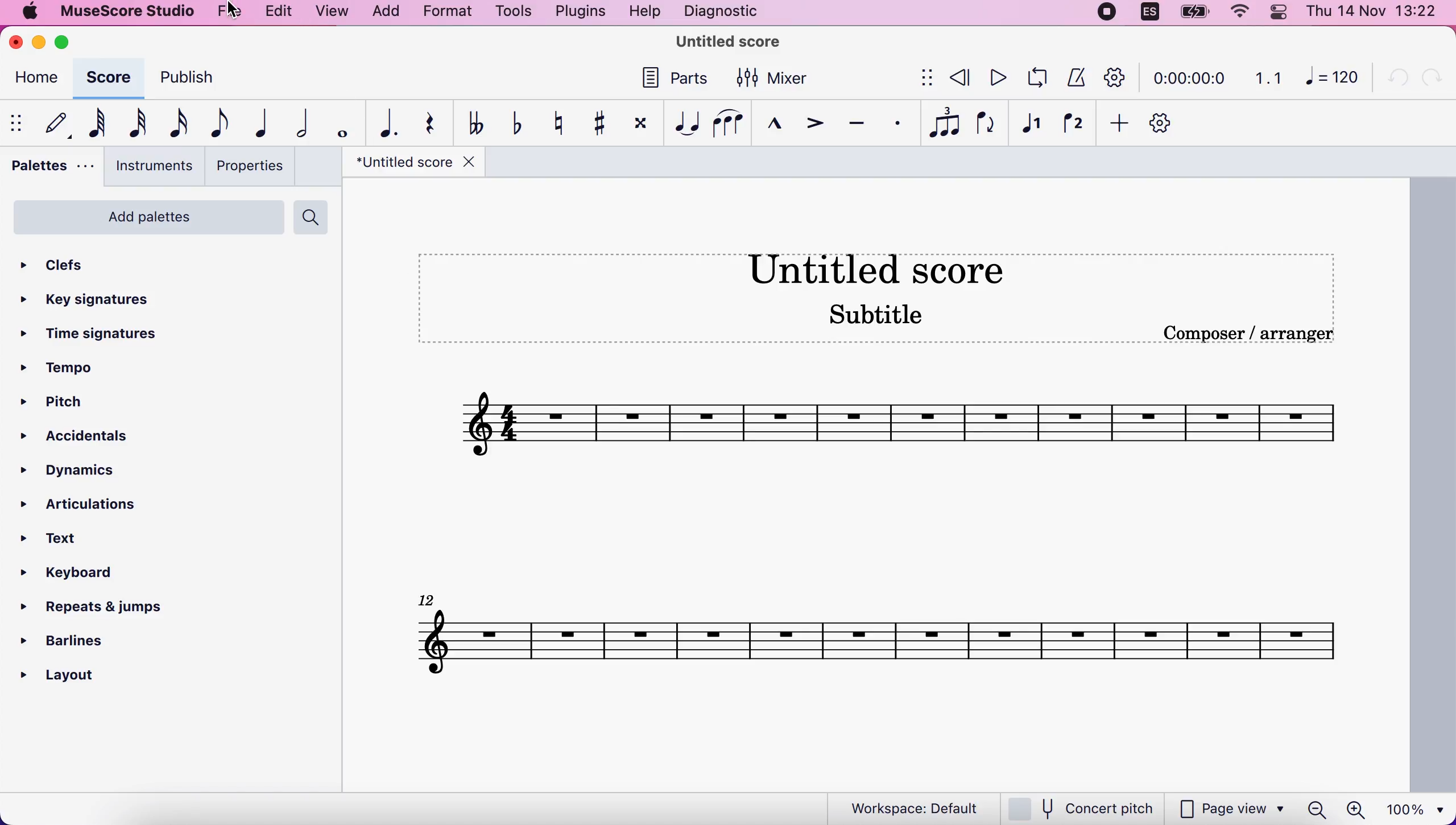 Image resolution: width=1456 pixels, height=825 pixels. I want to click on redo, so click(1432, 81).